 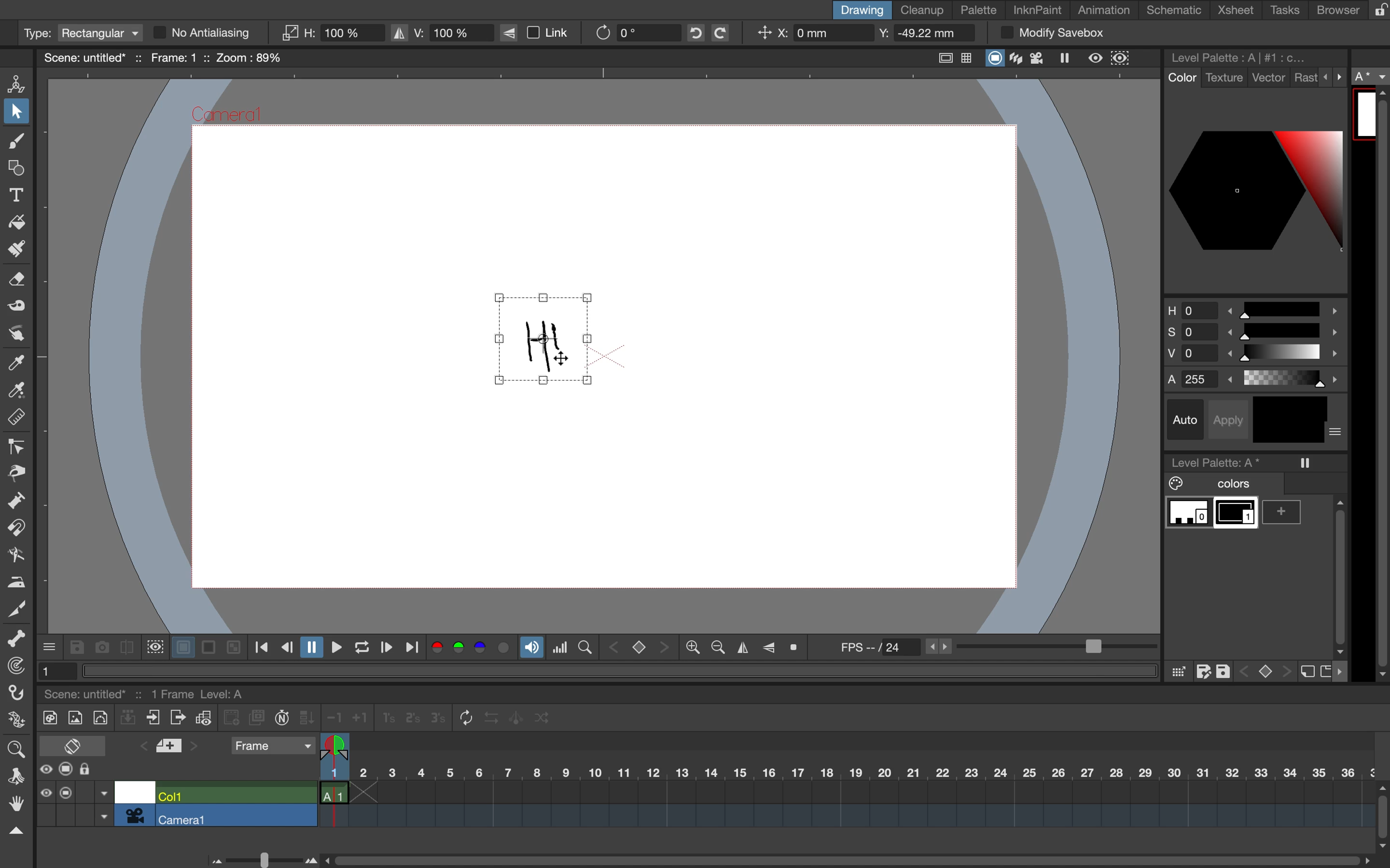 What do you see at coordinates (47, 716) in the screenshot?
I see `new toonz raster level` at bounding box center [47, 716].